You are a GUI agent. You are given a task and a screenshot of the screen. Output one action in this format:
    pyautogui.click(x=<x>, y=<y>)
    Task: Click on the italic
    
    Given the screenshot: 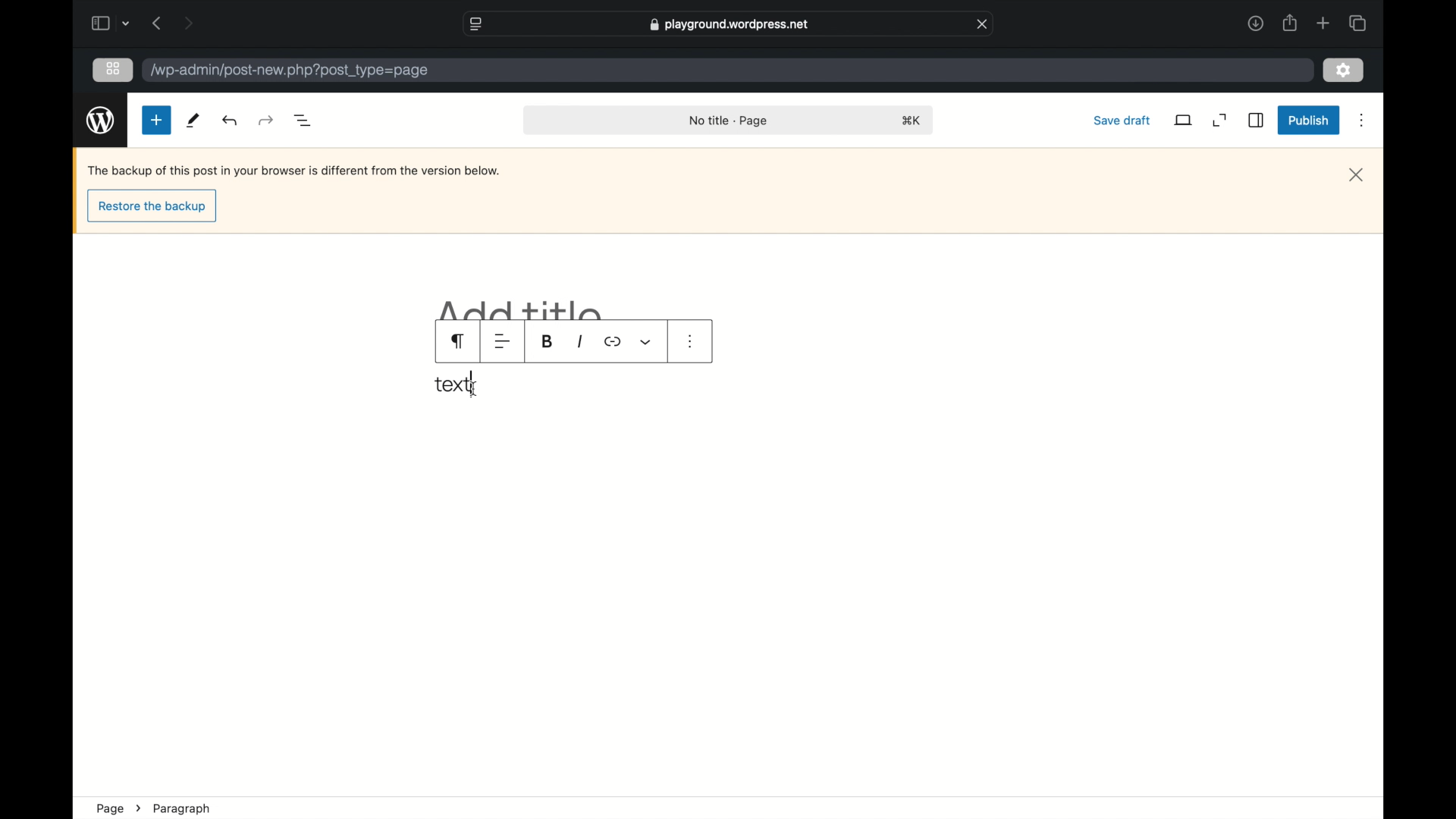 What is the action you would take?
    pyautogui.click(x=579, y=342)
    